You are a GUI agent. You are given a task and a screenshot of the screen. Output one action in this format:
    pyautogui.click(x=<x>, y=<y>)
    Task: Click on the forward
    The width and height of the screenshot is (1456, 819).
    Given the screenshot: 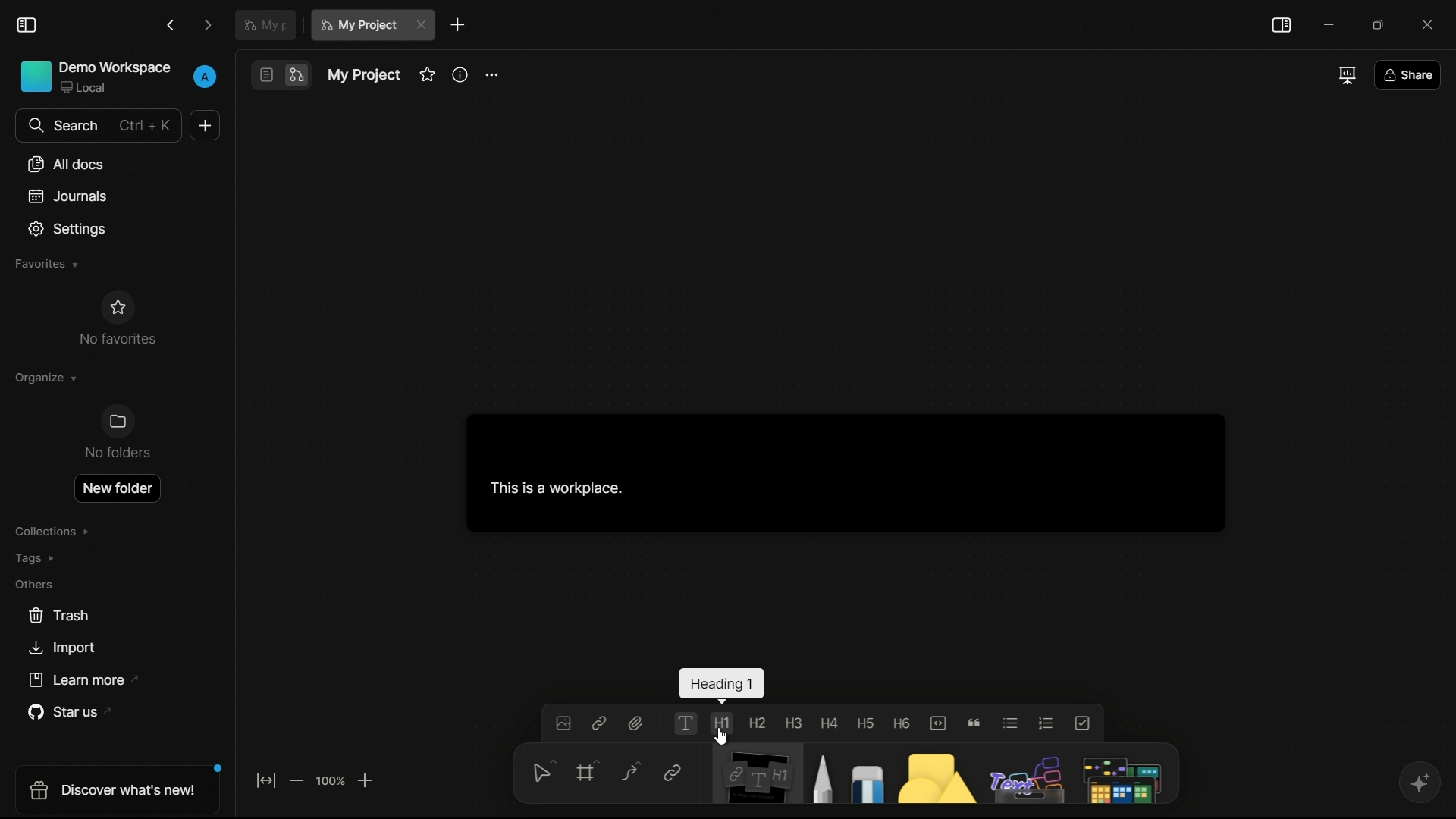 What is the action you would take?
    pyautogui.click(x=209, y=24)
    